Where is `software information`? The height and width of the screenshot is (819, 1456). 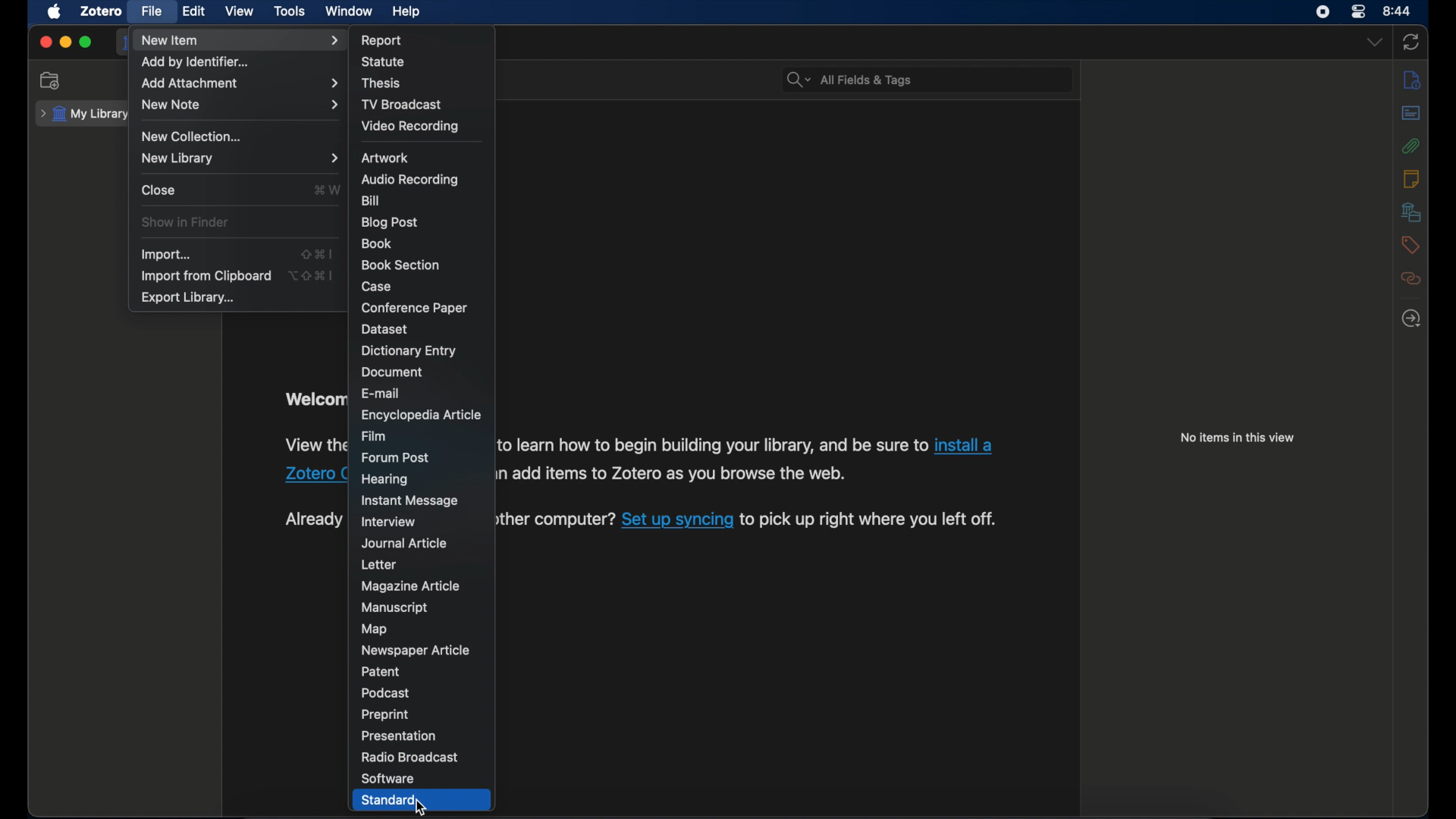
software information is located at coordinates (871, 520).